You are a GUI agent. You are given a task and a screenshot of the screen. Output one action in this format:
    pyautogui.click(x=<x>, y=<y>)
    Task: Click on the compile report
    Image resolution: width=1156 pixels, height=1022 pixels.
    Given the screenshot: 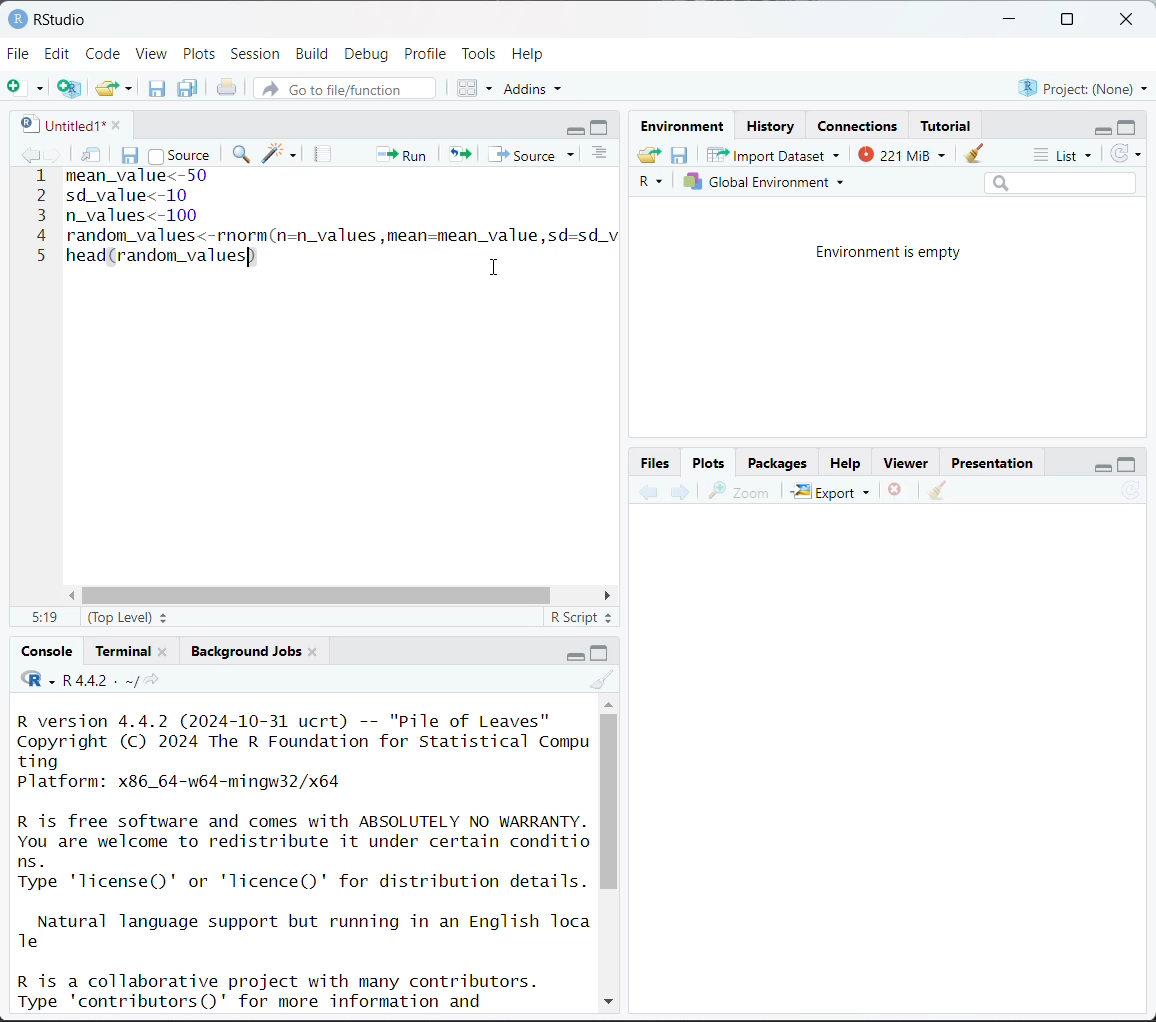 What is the action you would take?
    pyautogui.click(x=325, y=154)
    